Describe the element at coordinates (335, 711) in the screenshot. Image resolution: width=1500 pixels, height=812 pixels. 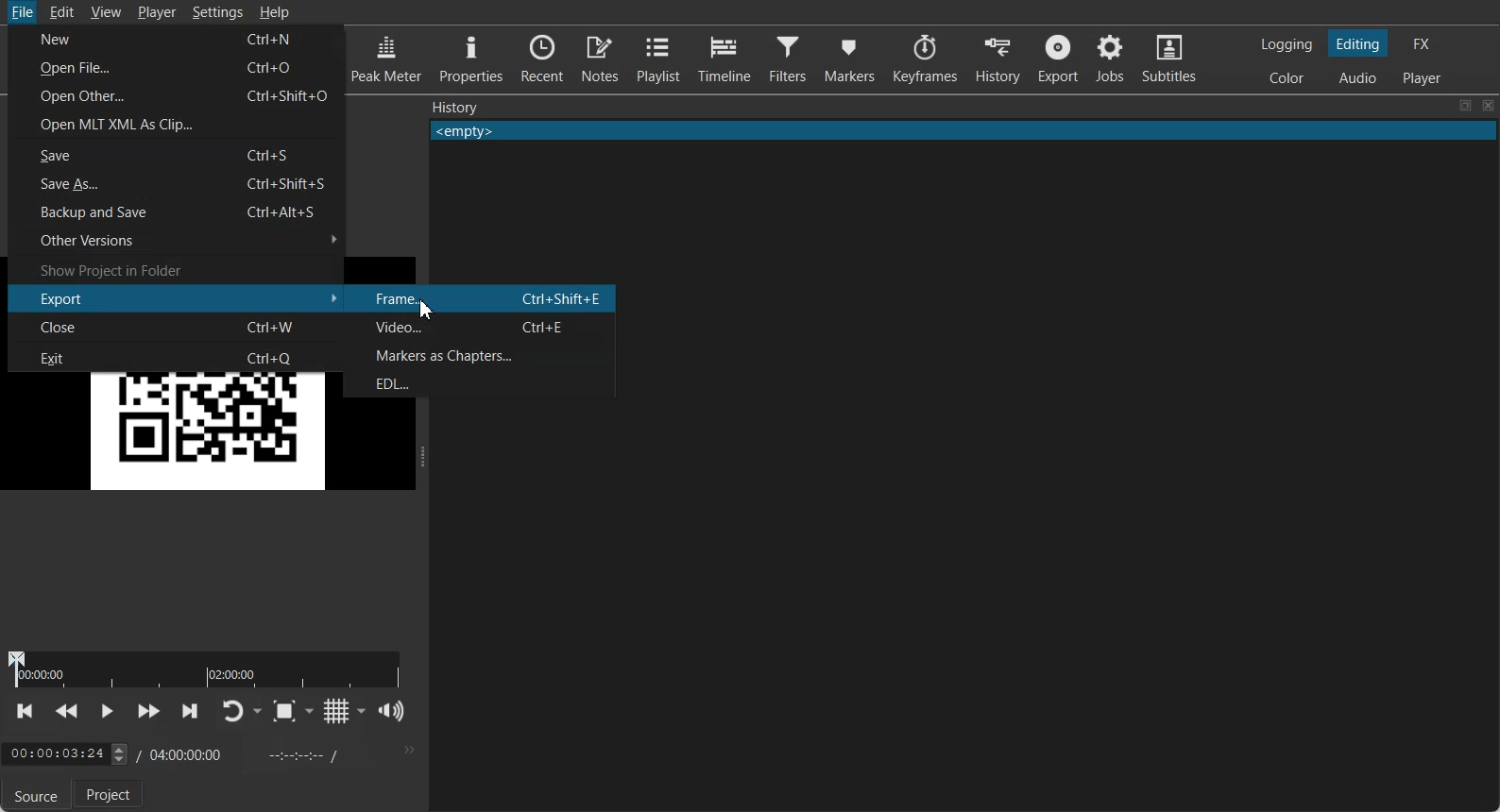
I see `Toggle grid display on the player` at that location.